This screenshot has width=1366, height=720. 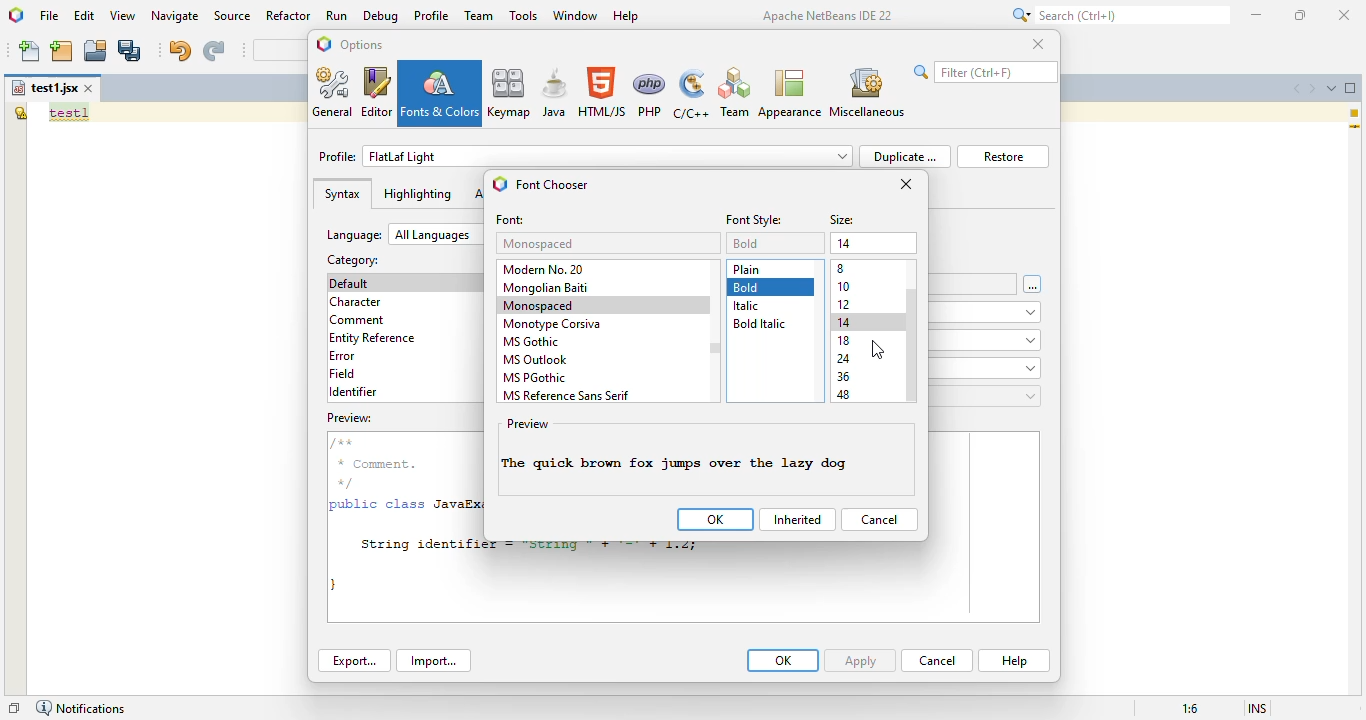 I want to click on 48, so click(x=844, y=394).